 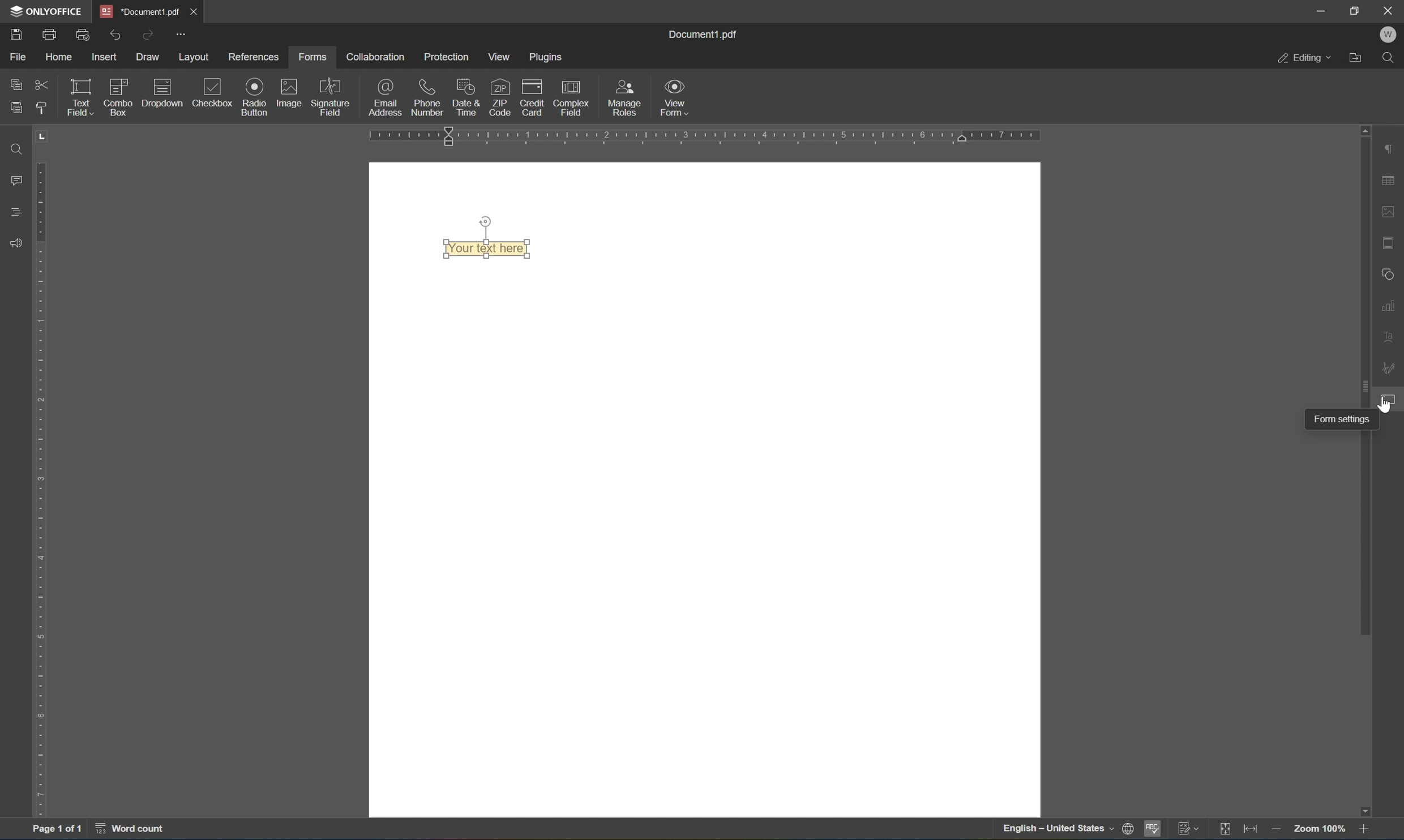 What do you see at coordinates (254, 96) in the screenshot?
I see `radio button` at bounding box center [254, 96].